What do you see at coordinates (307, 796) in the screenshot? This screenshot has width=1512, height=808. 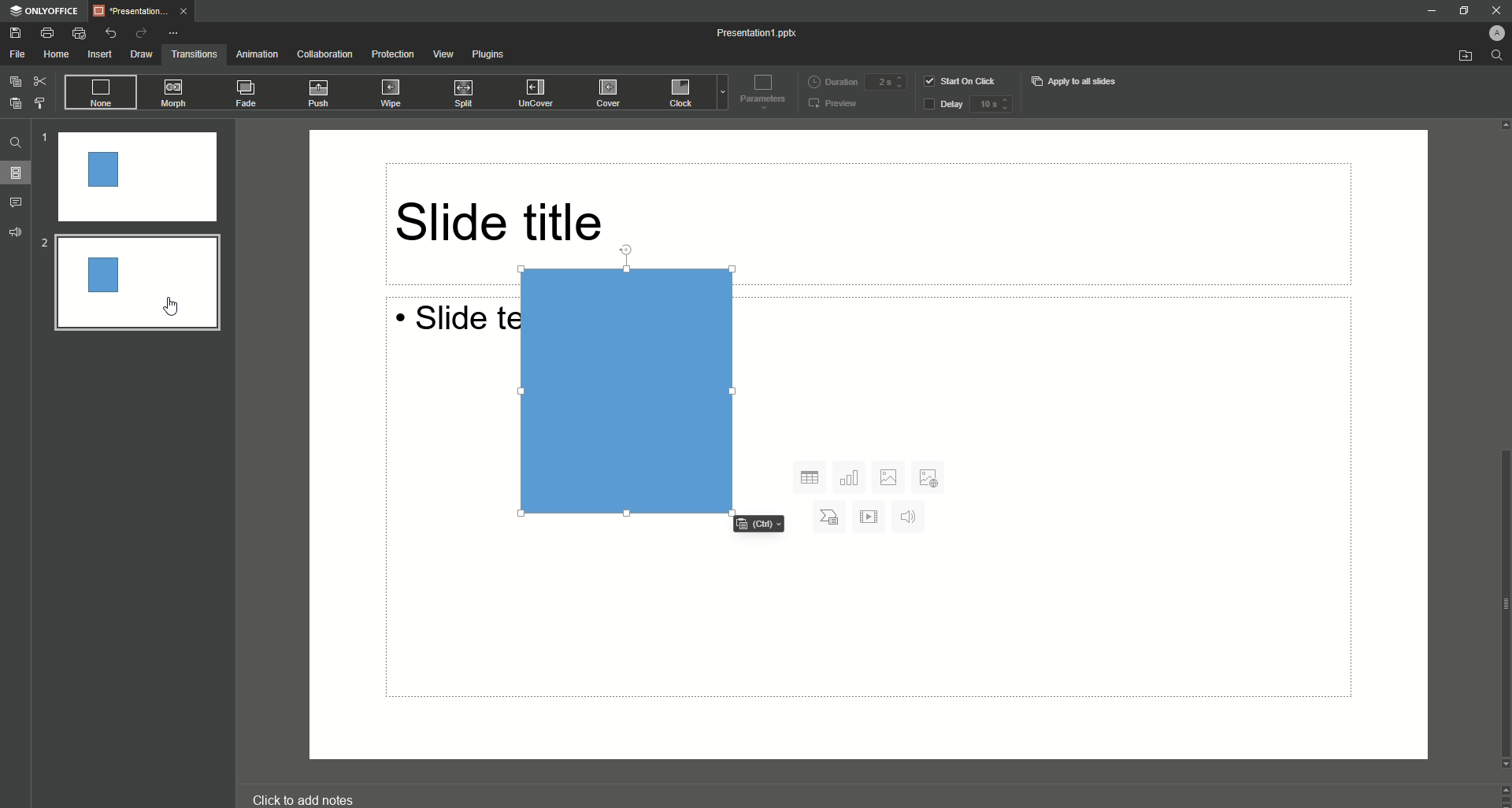 I see `click to add notes` at bounding box center [307, 796].